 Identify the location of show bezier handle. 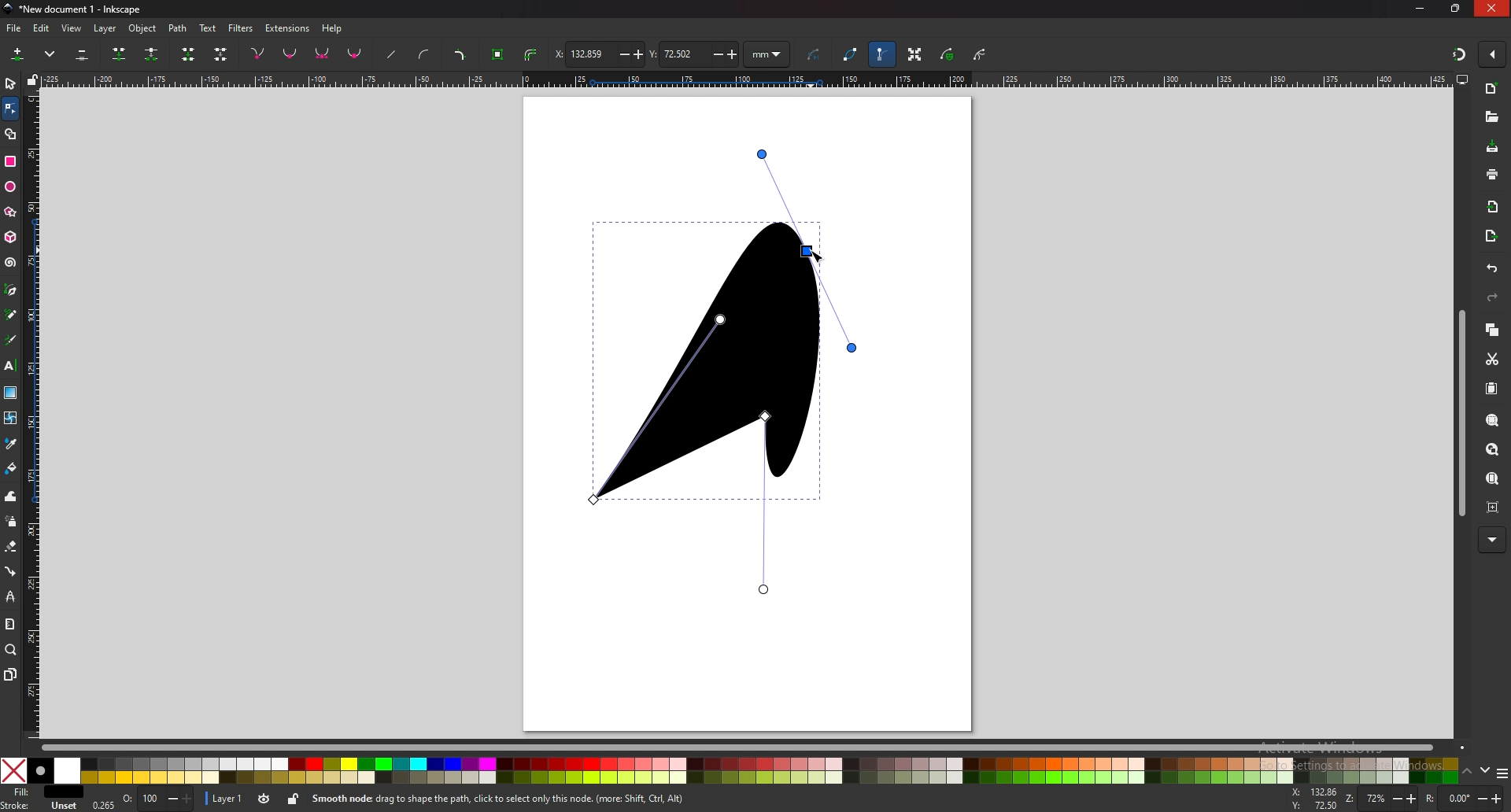
(882, 54).